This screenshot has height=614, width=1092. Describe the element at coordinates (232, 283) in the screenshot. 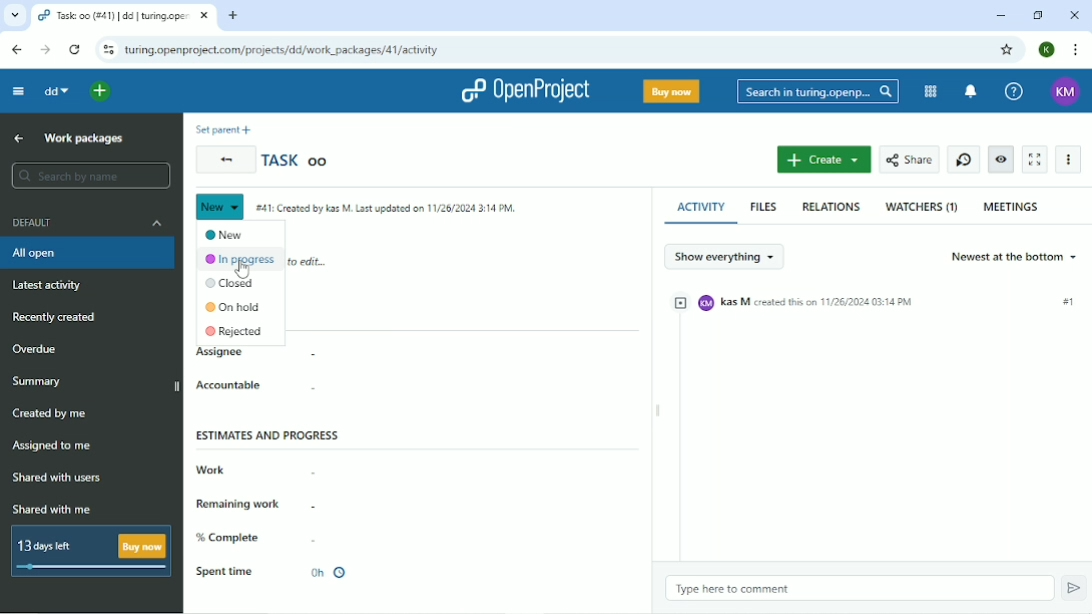

I see `Closed` at that location.